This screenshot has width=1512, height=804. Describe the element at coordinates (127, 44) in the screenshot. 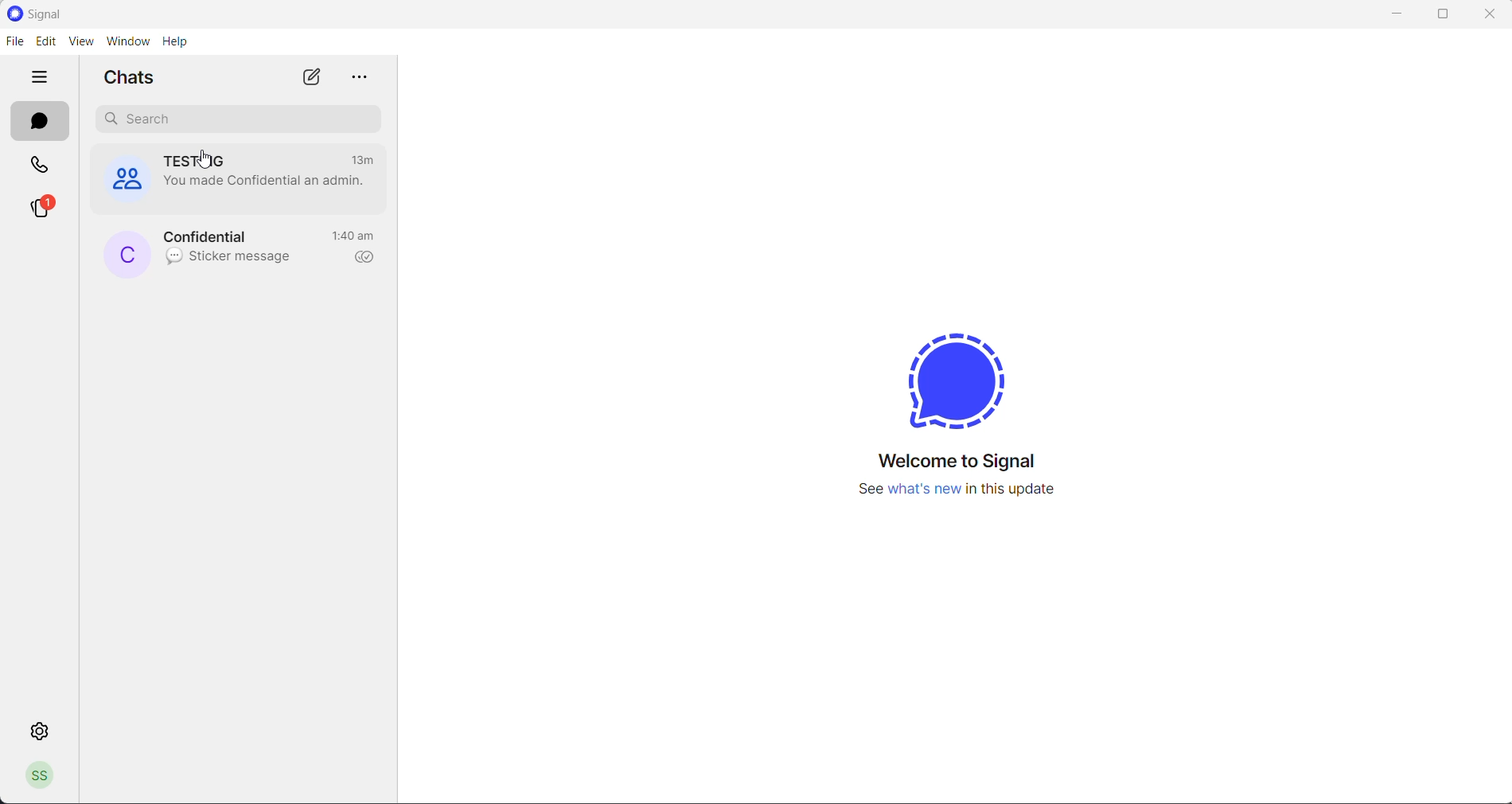

I see `window` at that location.